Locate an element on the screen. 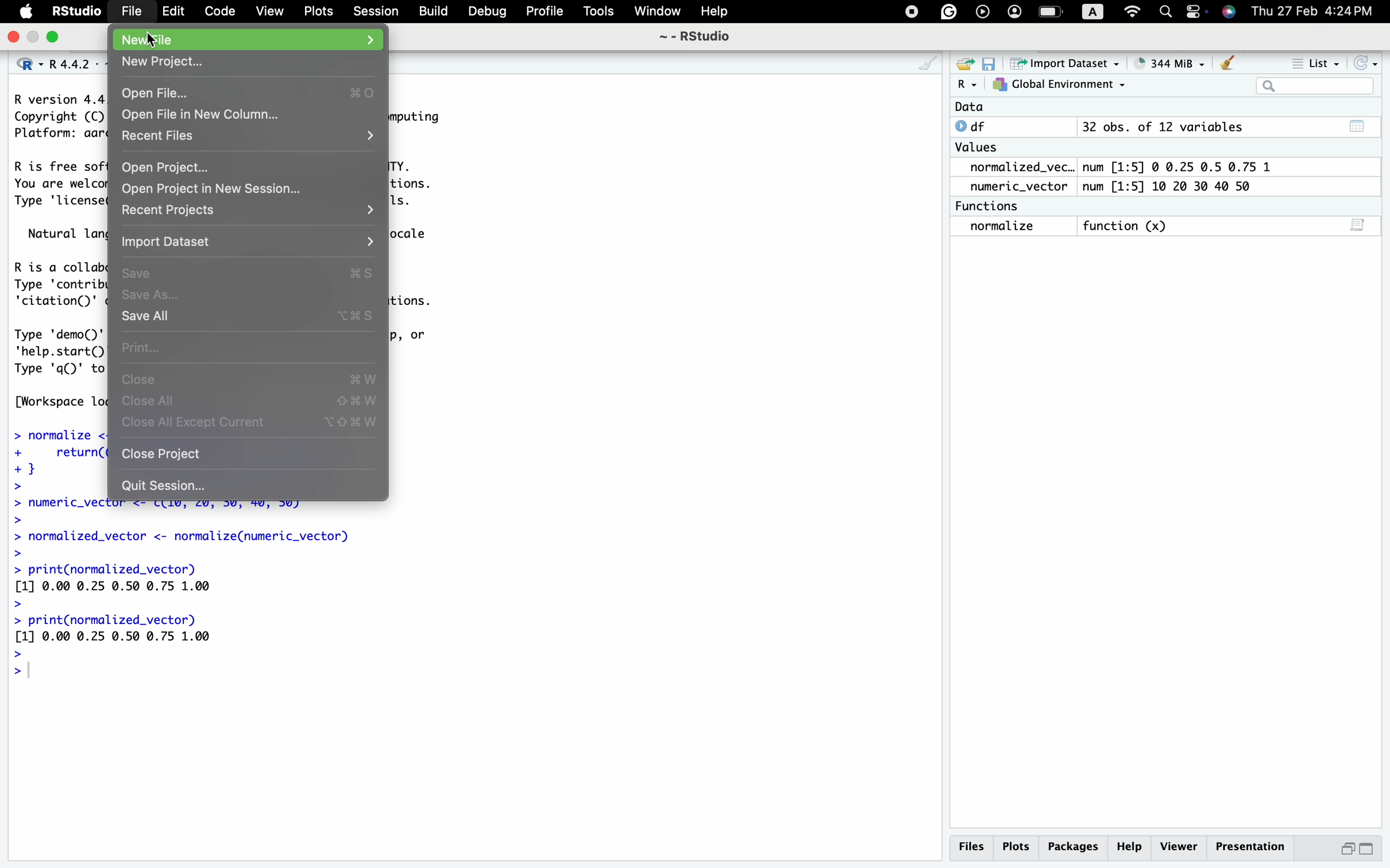 Image resolution: width=1390 pixels, height=868 pixels. File is located at coordinates (129, 13).